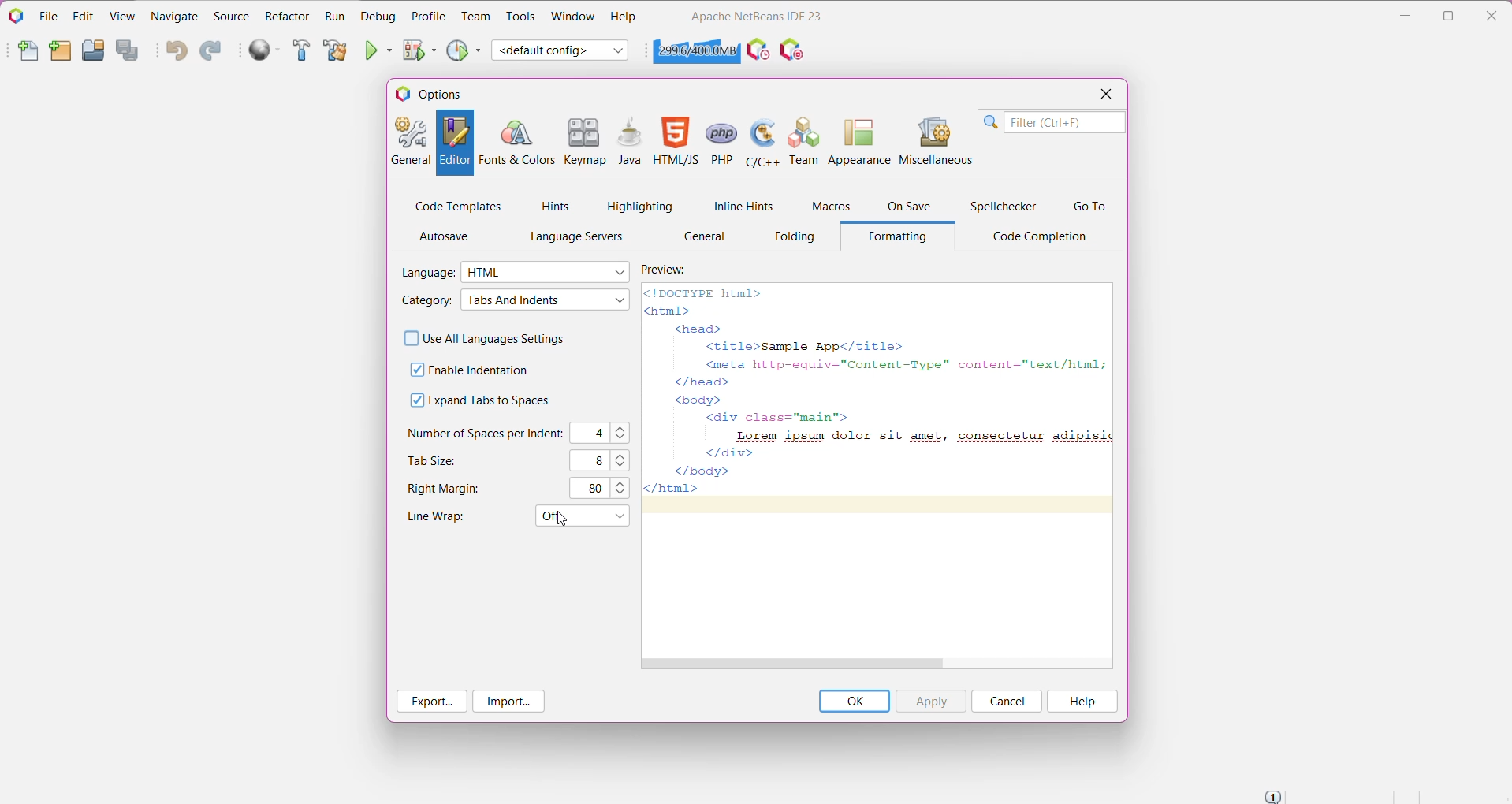 The width and height of the screenshot is (1512, 804). Describe the element at coordinates (92, 50) in the screenshot. I see `Open Project` at that location.